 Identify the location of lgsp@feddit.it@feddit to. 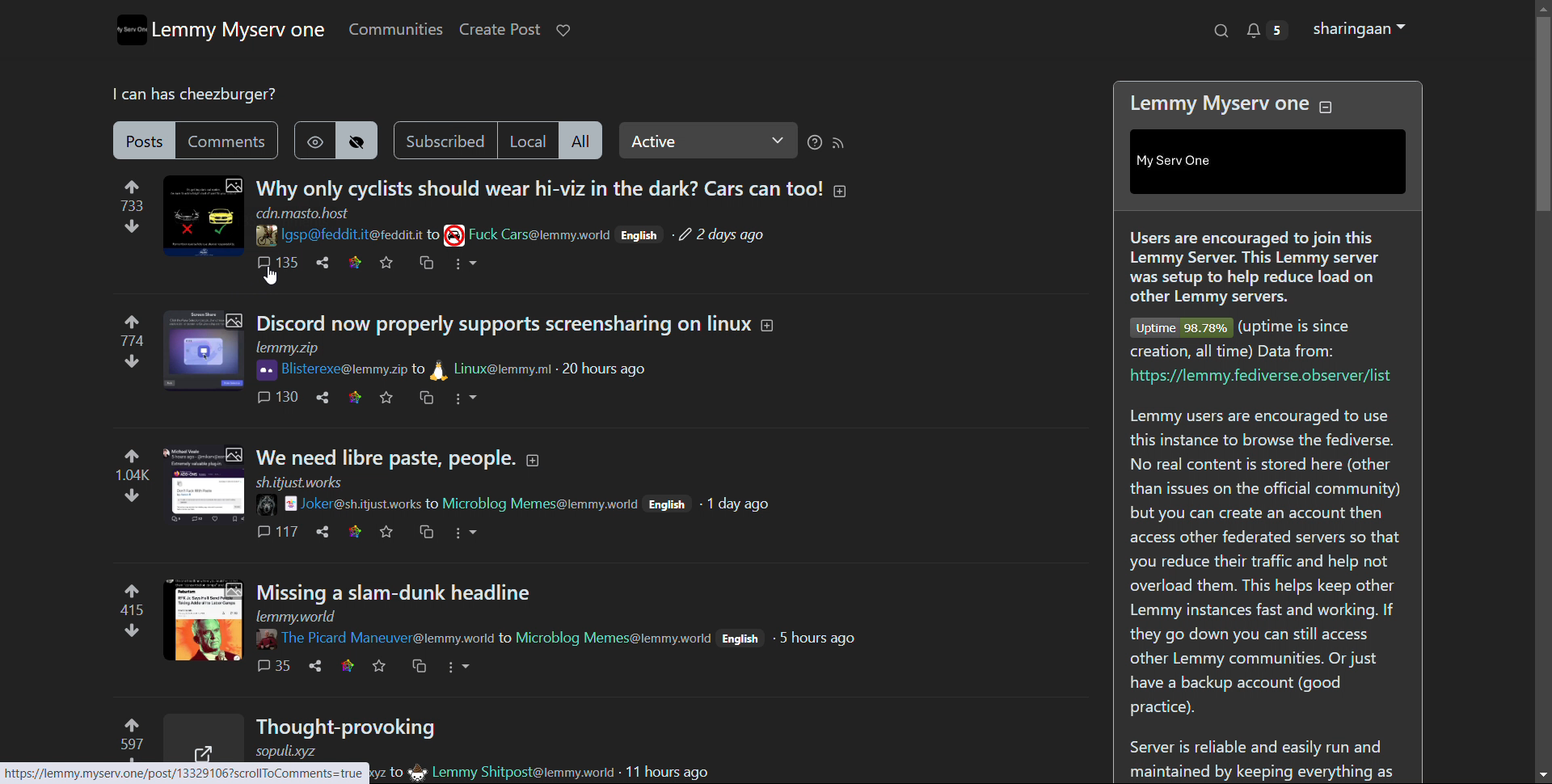
(346, 236).